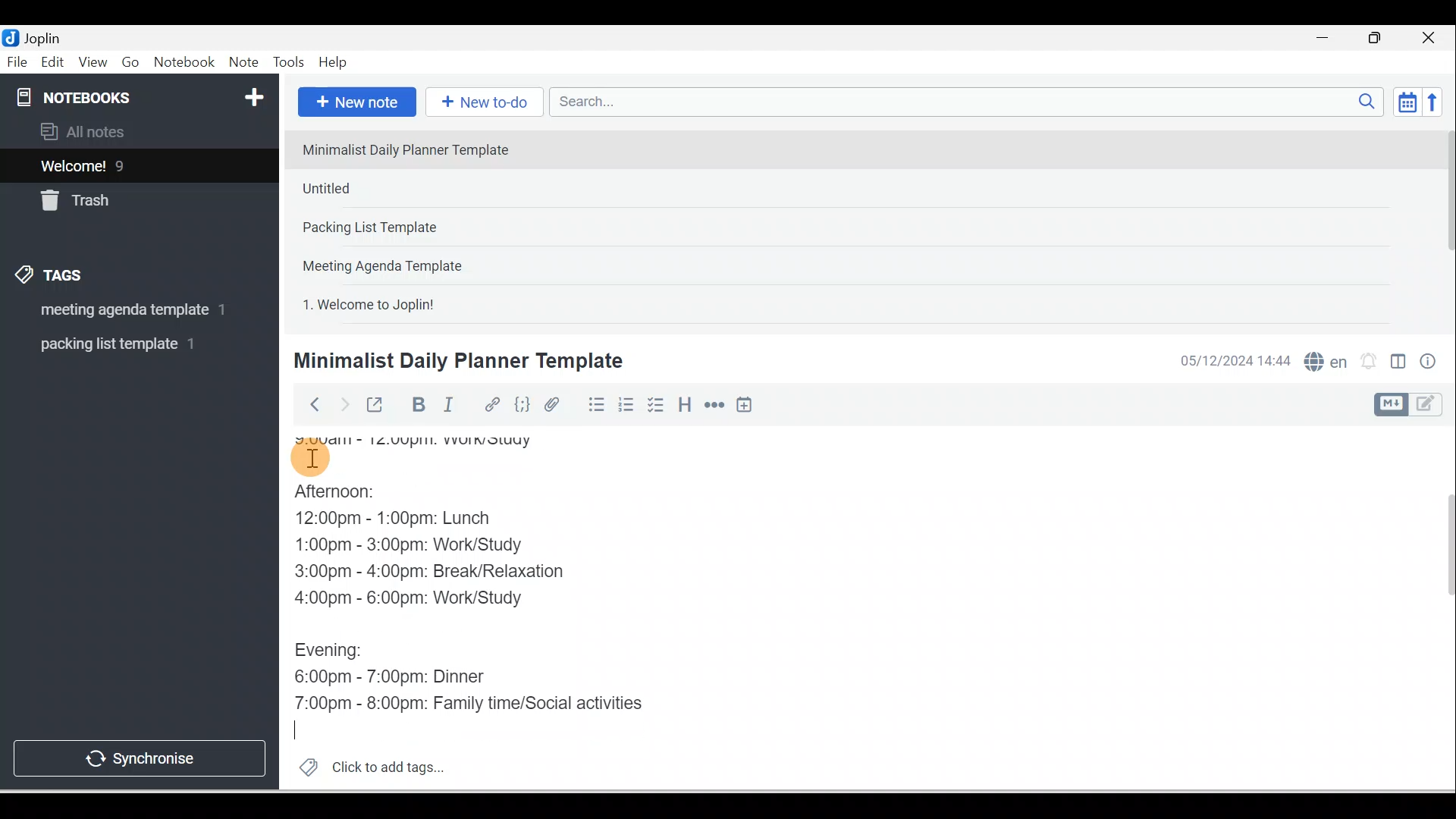  What do you see at coordinates (377, 408) in the screenshot?
I see `Toggle external editing` at bounding box center [377, 408].